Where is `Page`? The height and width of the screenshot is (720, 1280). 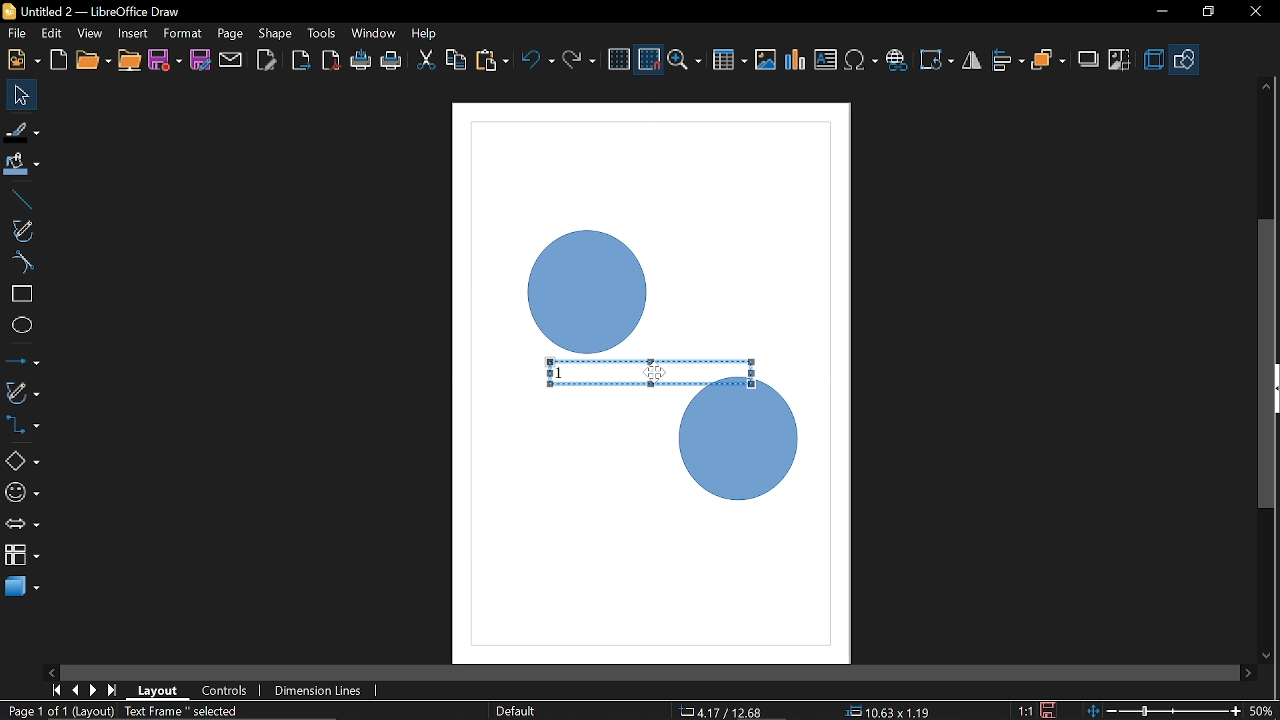
Page is located at coordinates (228, 32).